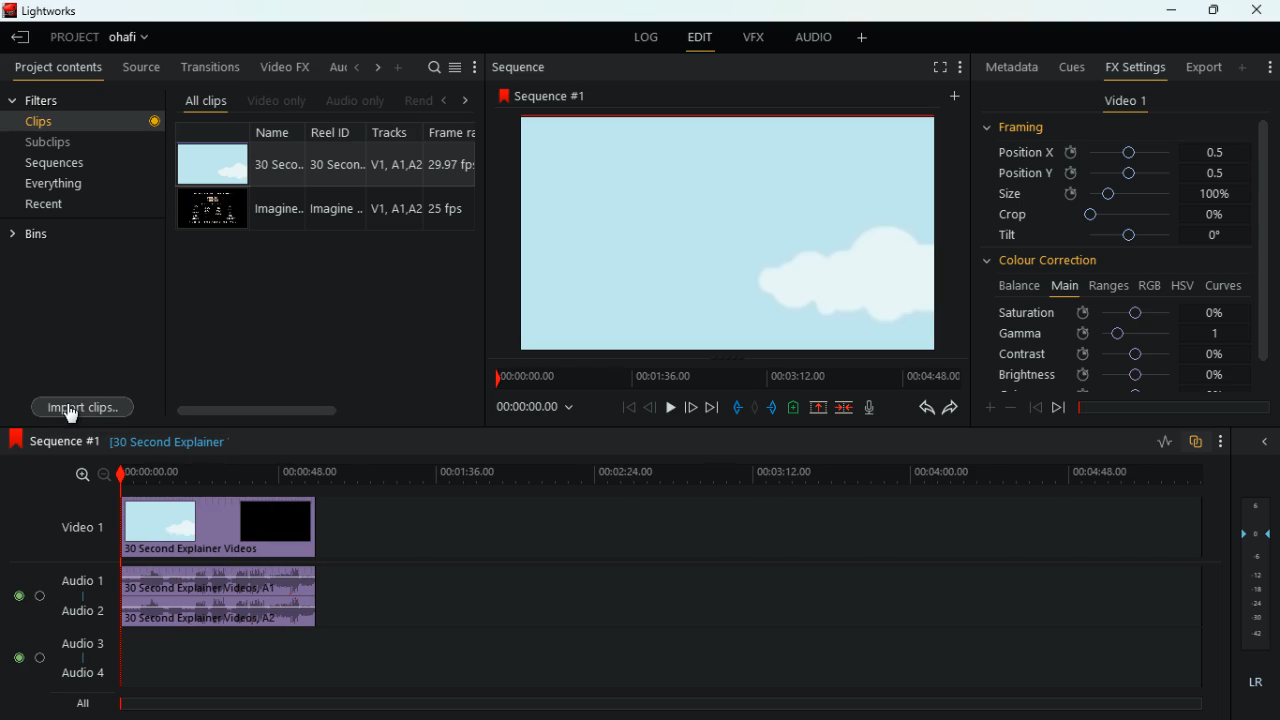 The width and height of the screenshot is (1280, 720). Describe the element at coordinates (71, 415) in the screenshot. I see `cursor` at that location.